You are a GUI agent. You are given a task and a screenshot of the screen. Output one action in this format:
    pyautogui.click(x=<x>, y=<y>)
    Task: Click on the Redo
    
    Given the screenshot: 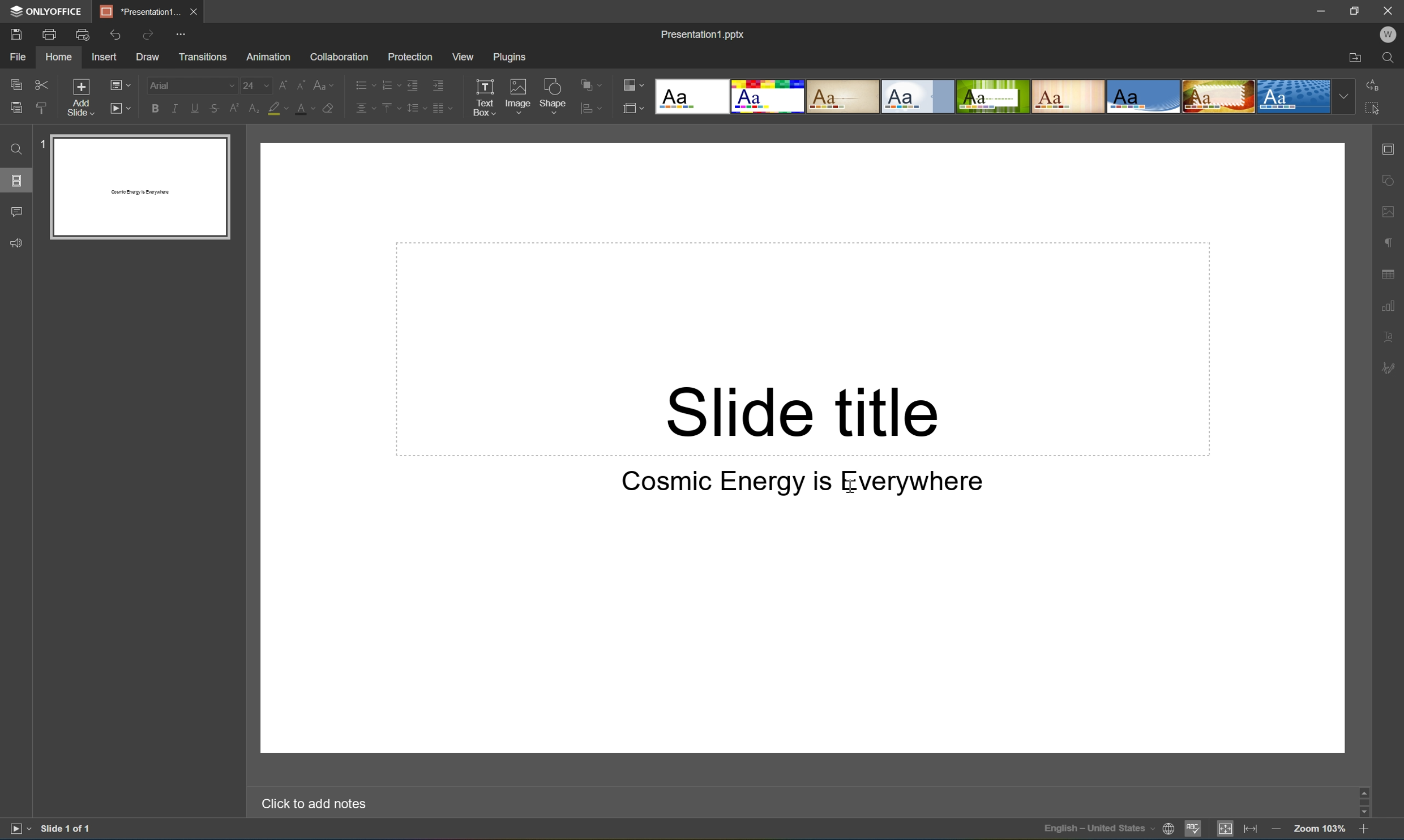 What is the action you would take?
    pyautogui.click(x=147, y=35)
    